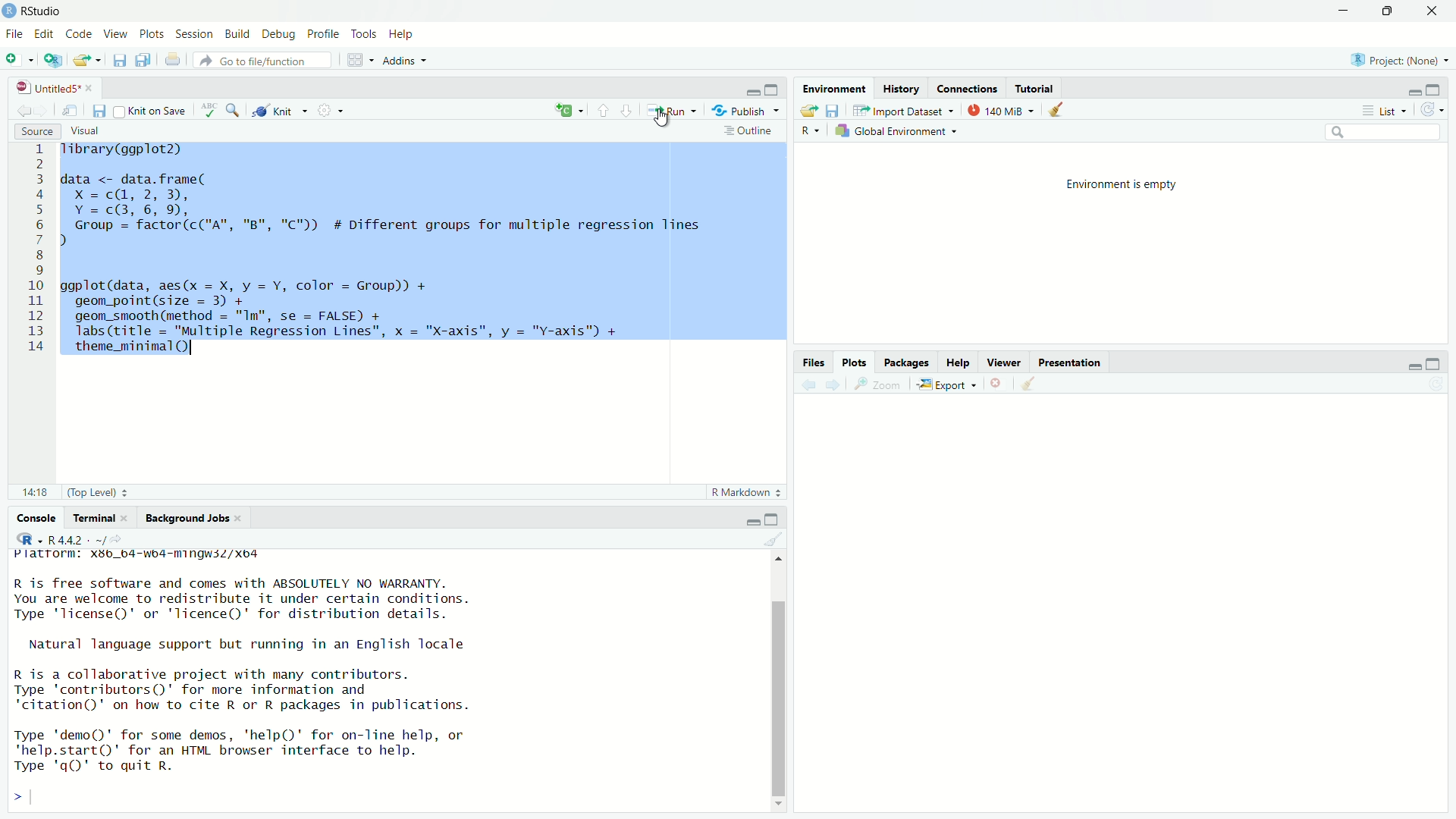 This screenshot has width=1456, height=819. Describe the element at coordinates (335, 112) in the screenshot. I see `settings` at that location.